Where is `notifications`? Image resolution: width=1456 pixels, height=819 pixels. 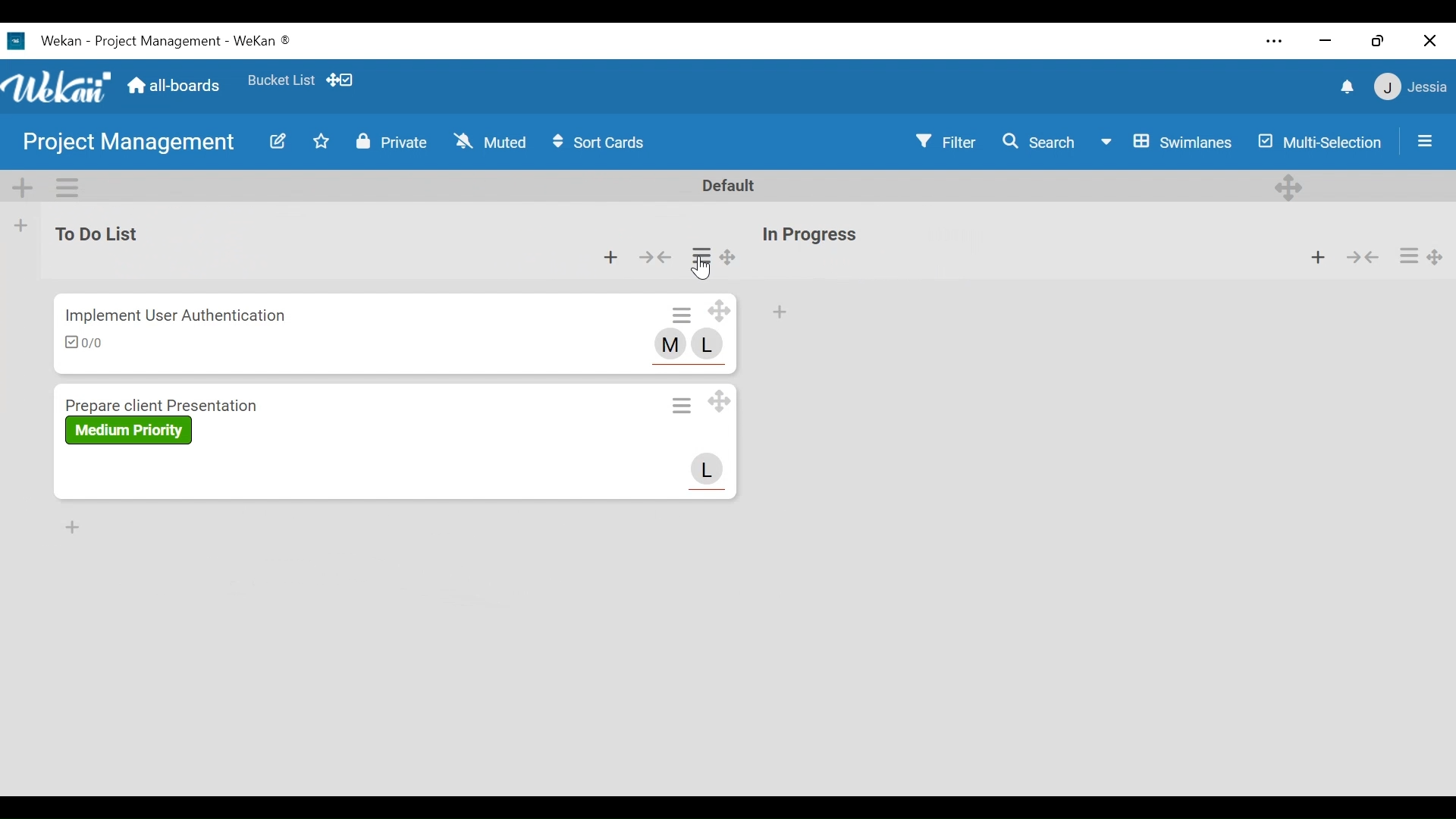
notifications is located at coordinates (1346, 87).